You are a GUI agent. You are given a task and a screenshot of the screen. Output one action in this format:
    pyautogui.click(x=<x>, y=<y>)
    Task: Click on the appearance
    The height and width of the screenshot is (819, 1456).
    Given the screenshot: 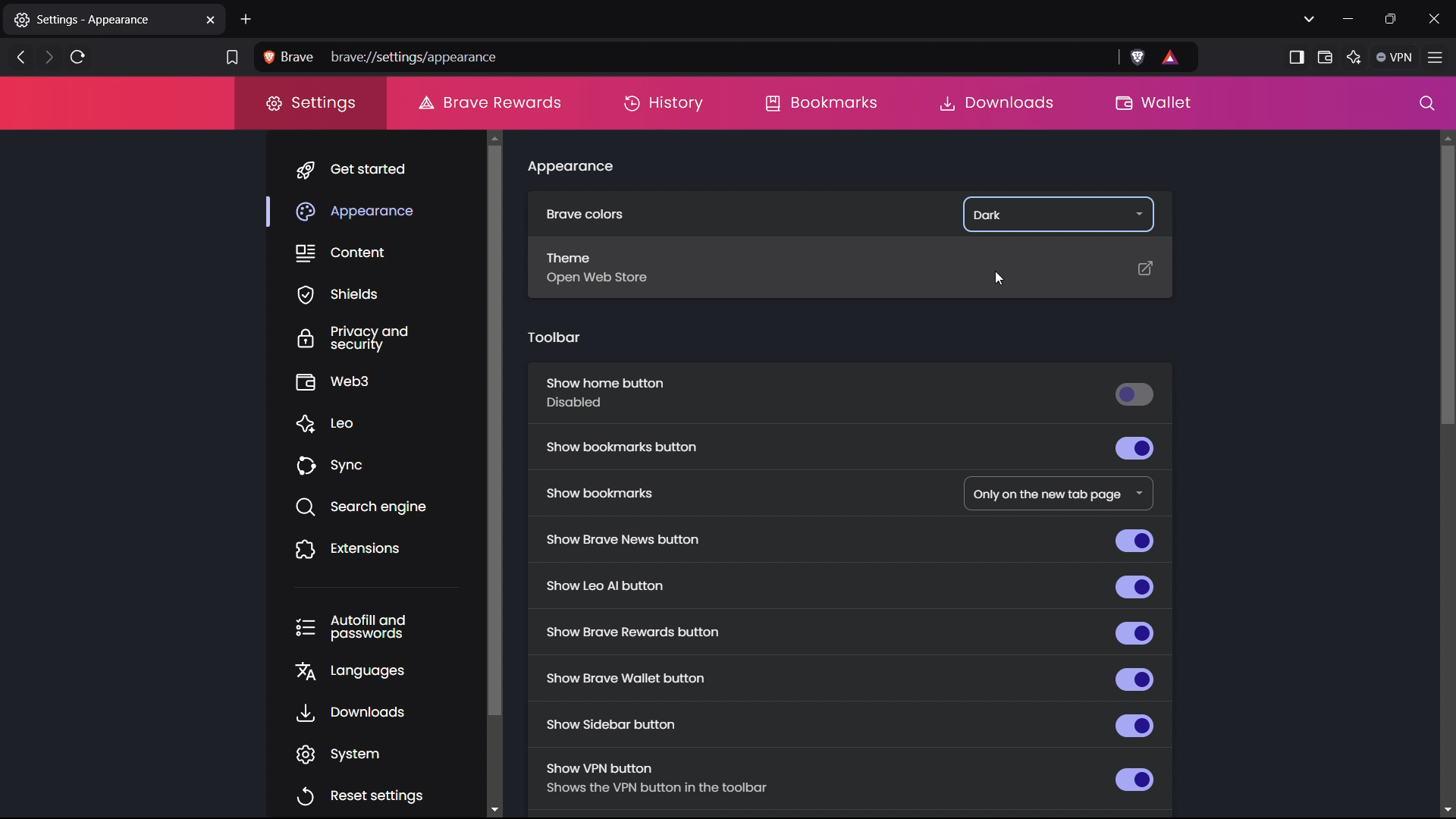 What is the action you would take?
    pyautogui.click(x=384, y=207)
    